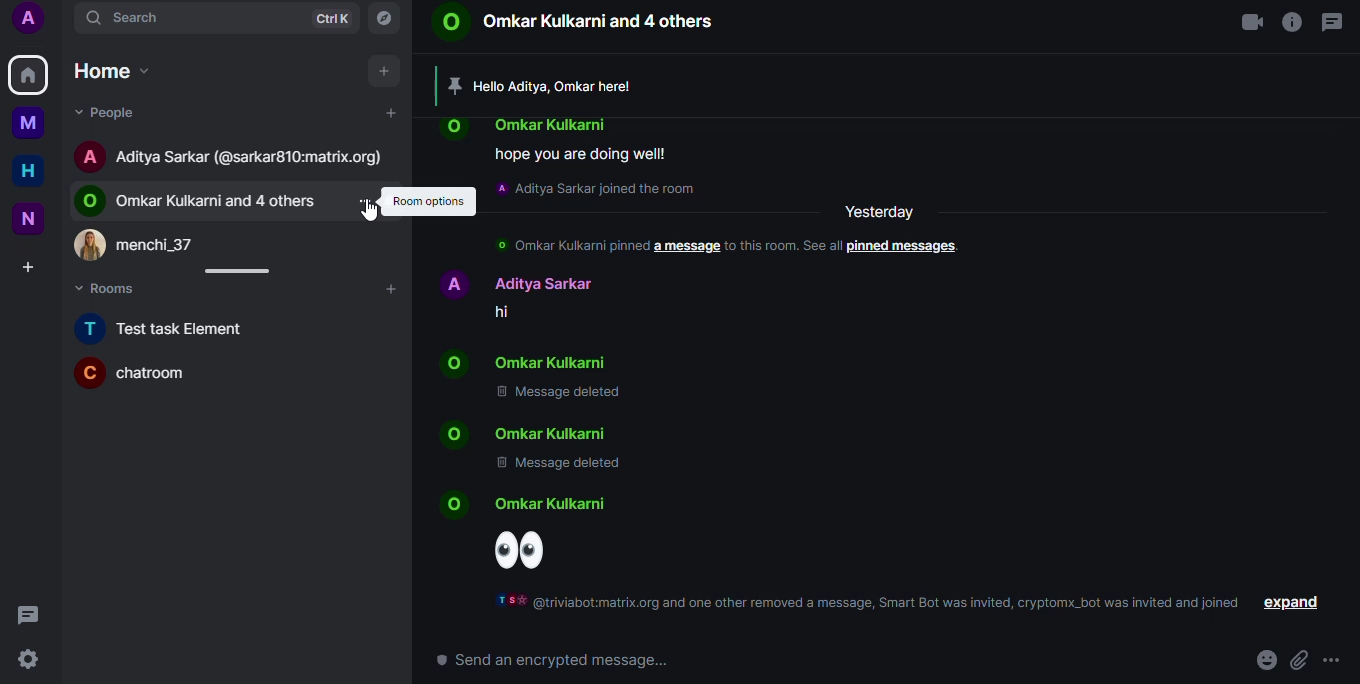  I want to click on contact, so click(518, 503).